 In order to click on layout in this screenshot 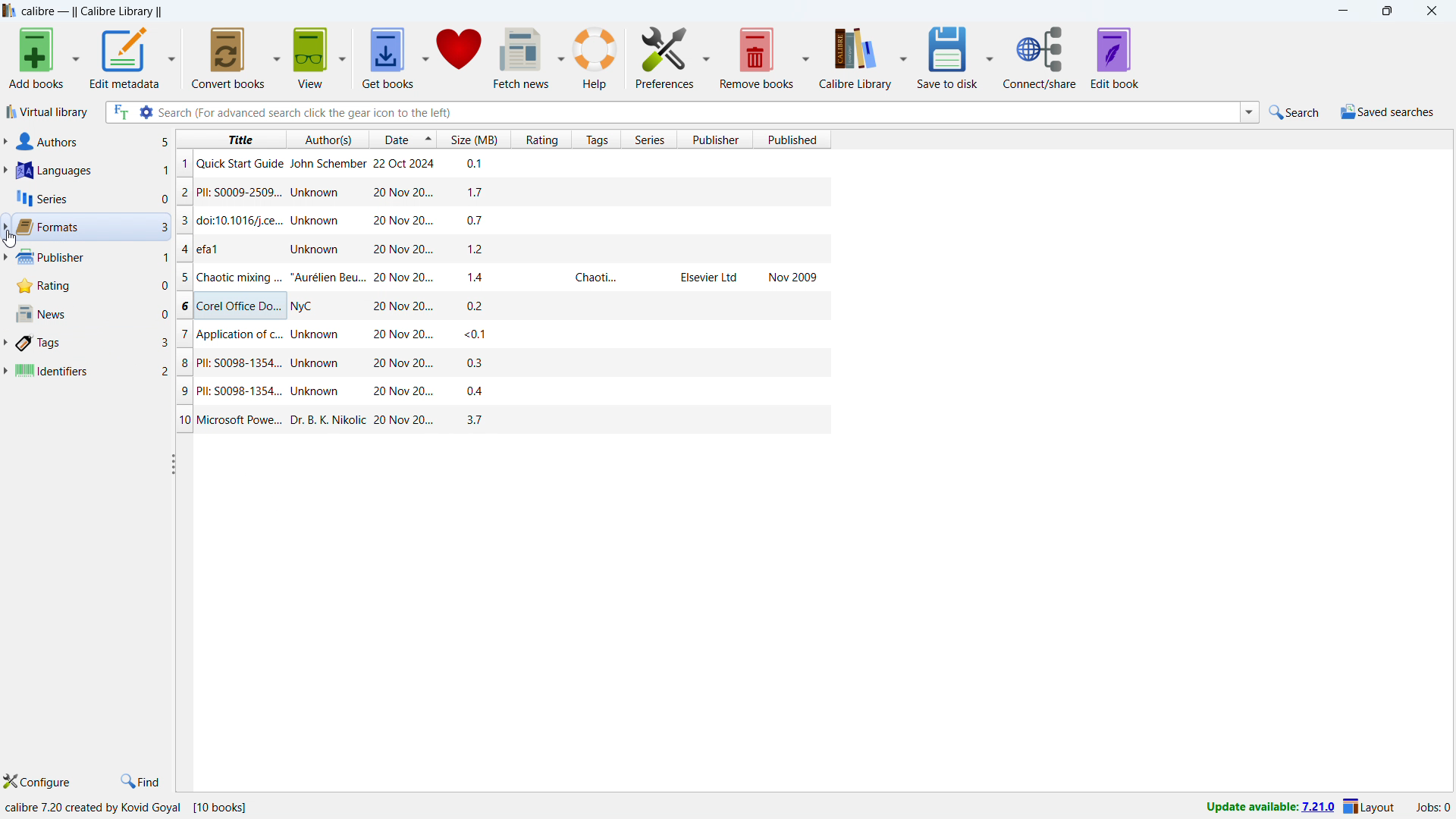, I will do `click(1369, 806)`.